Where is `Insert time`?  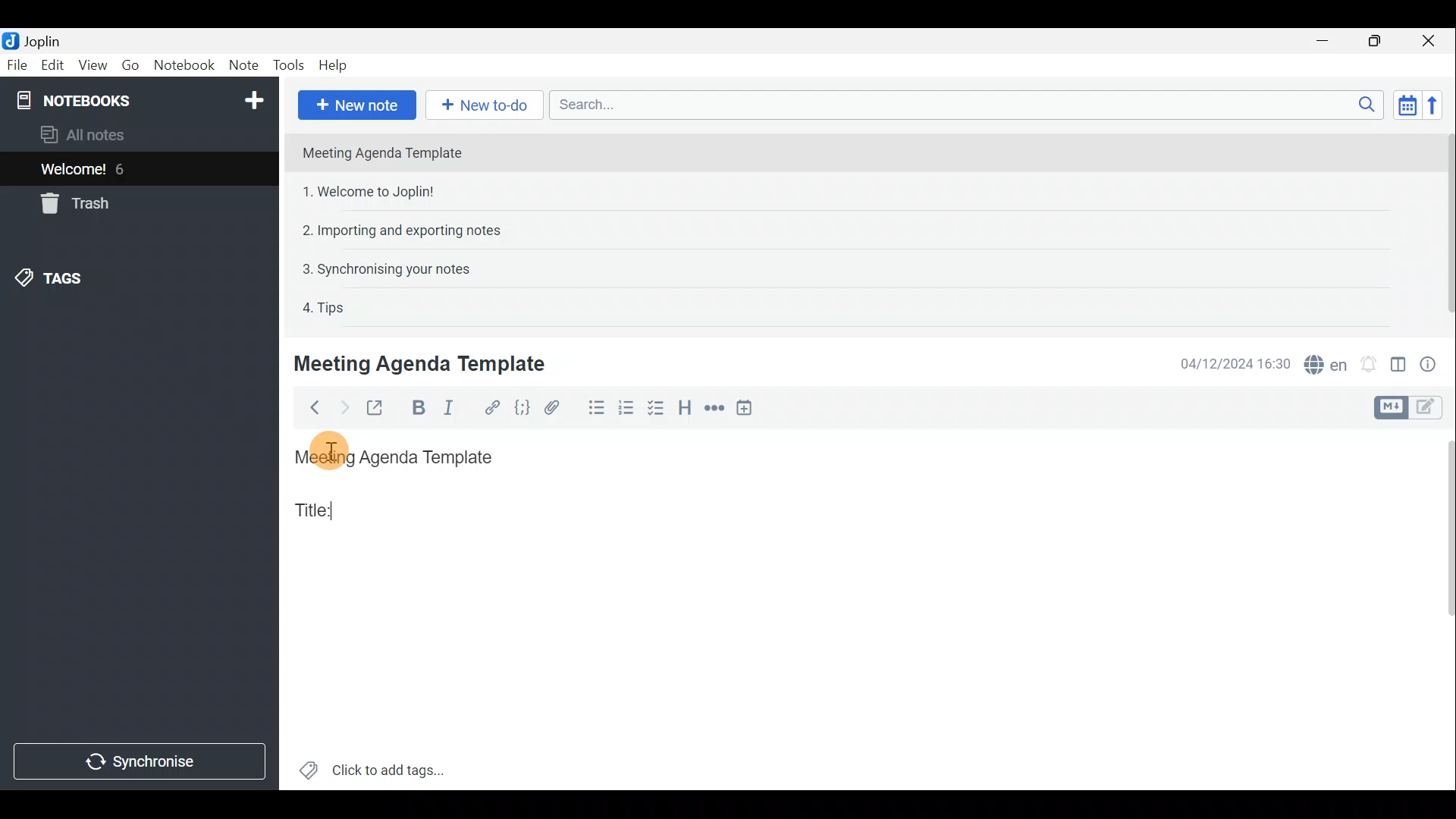
Insert time is located at coordinates (748, 410).